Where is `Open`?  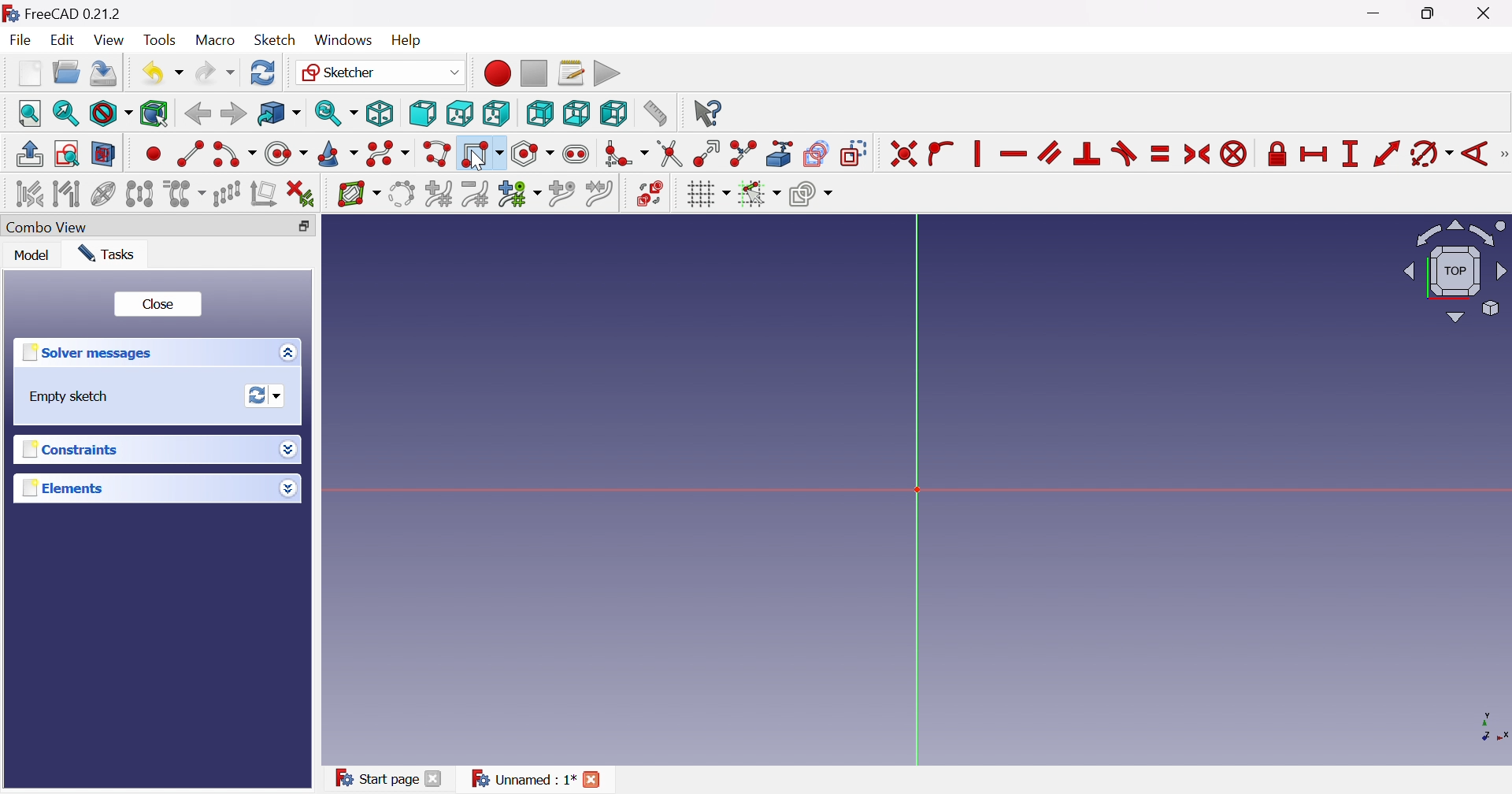
Open is located at coordinates (65, 72).